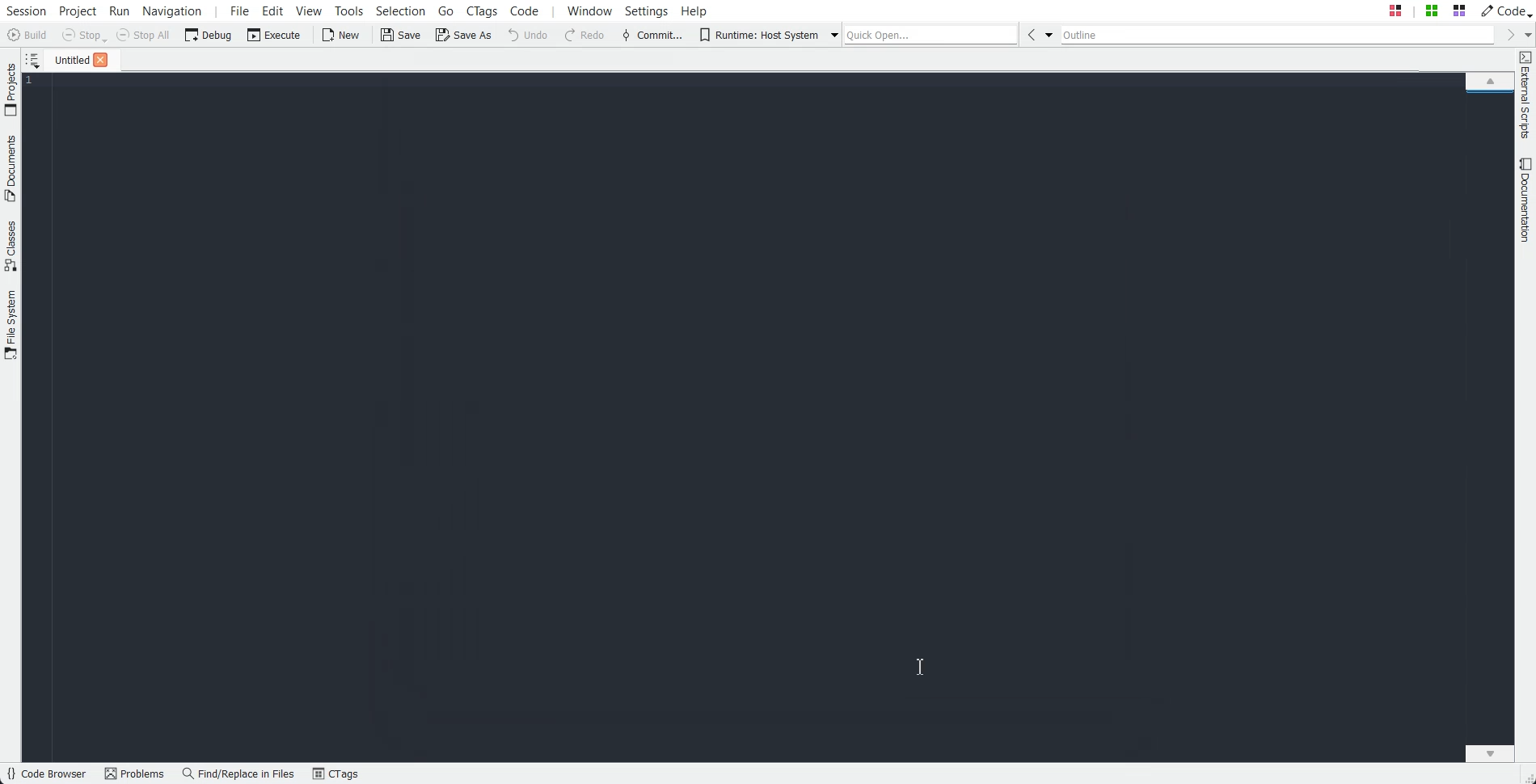 This screenshot has height=784, width=1536. I want to click on Stop, so click(84, 36).